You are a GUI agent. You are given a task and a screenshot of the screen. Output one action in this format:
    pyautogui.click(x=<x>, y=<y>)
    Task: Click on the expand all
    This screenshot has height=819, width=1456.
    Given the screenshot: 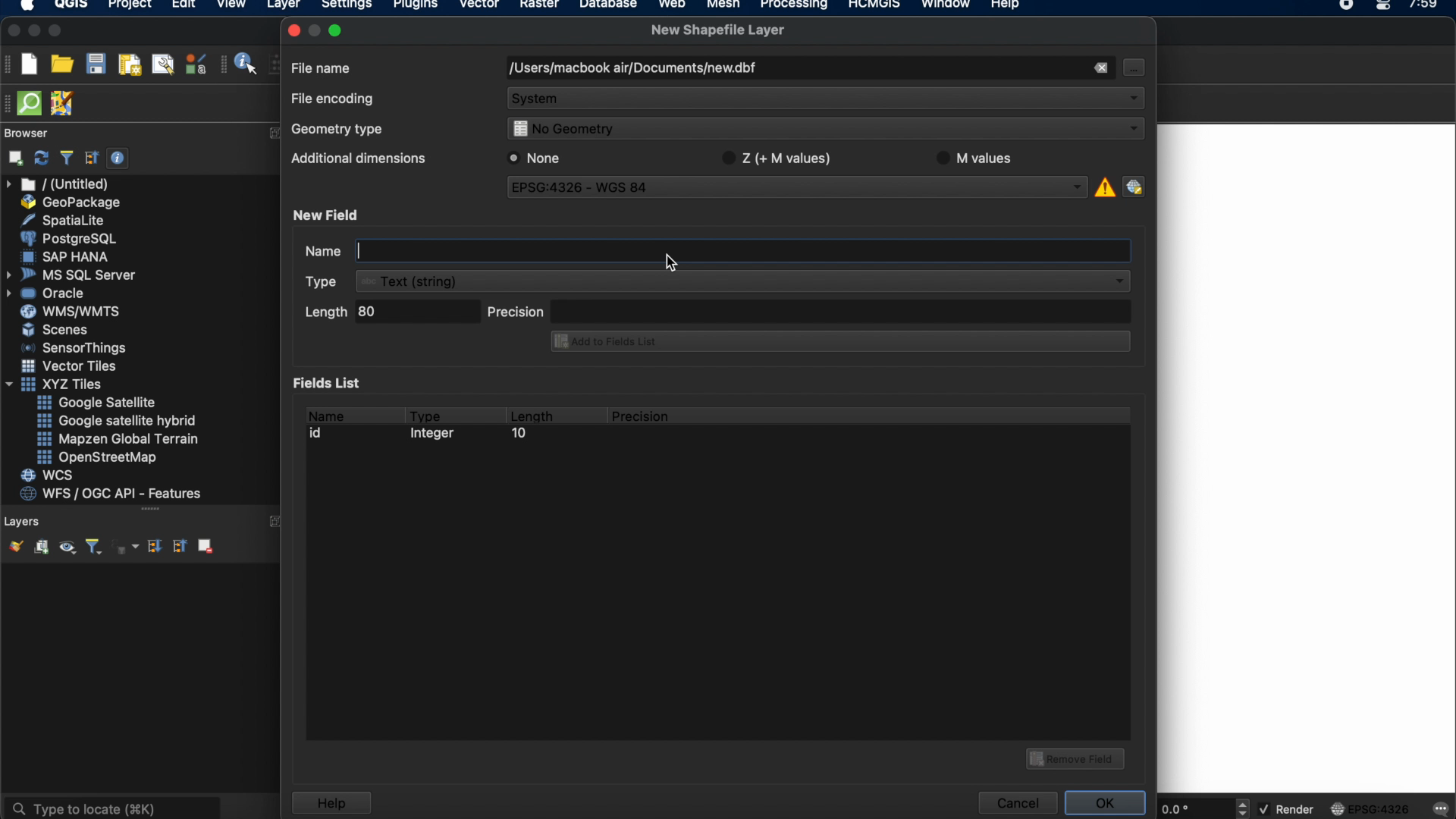 What is the action you would take?
    pyautogui.click(x=152, y=547)
    